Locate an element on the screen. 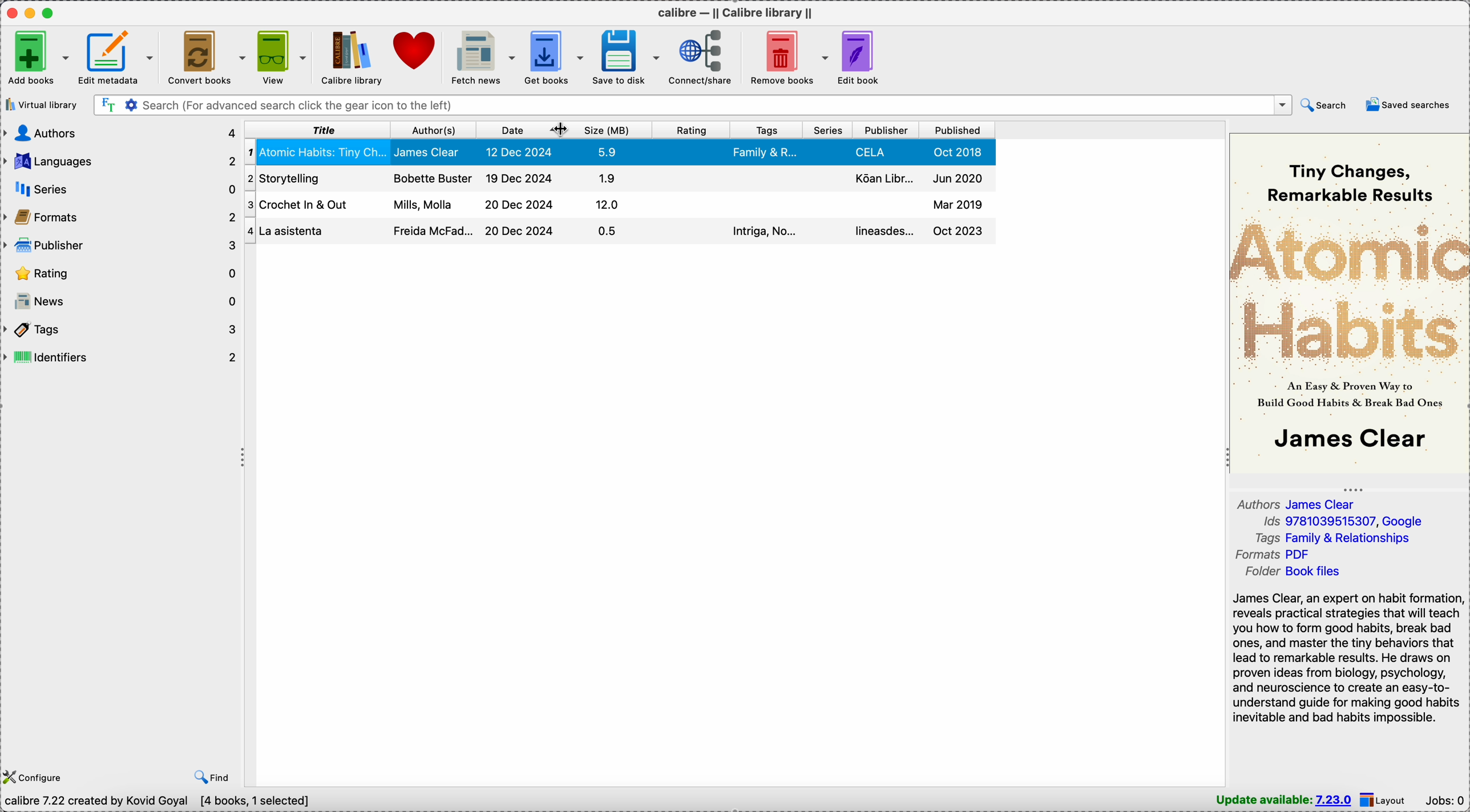 This screenshot has height=812, width=1470. Calibre library is located at coordinates (349, 56).